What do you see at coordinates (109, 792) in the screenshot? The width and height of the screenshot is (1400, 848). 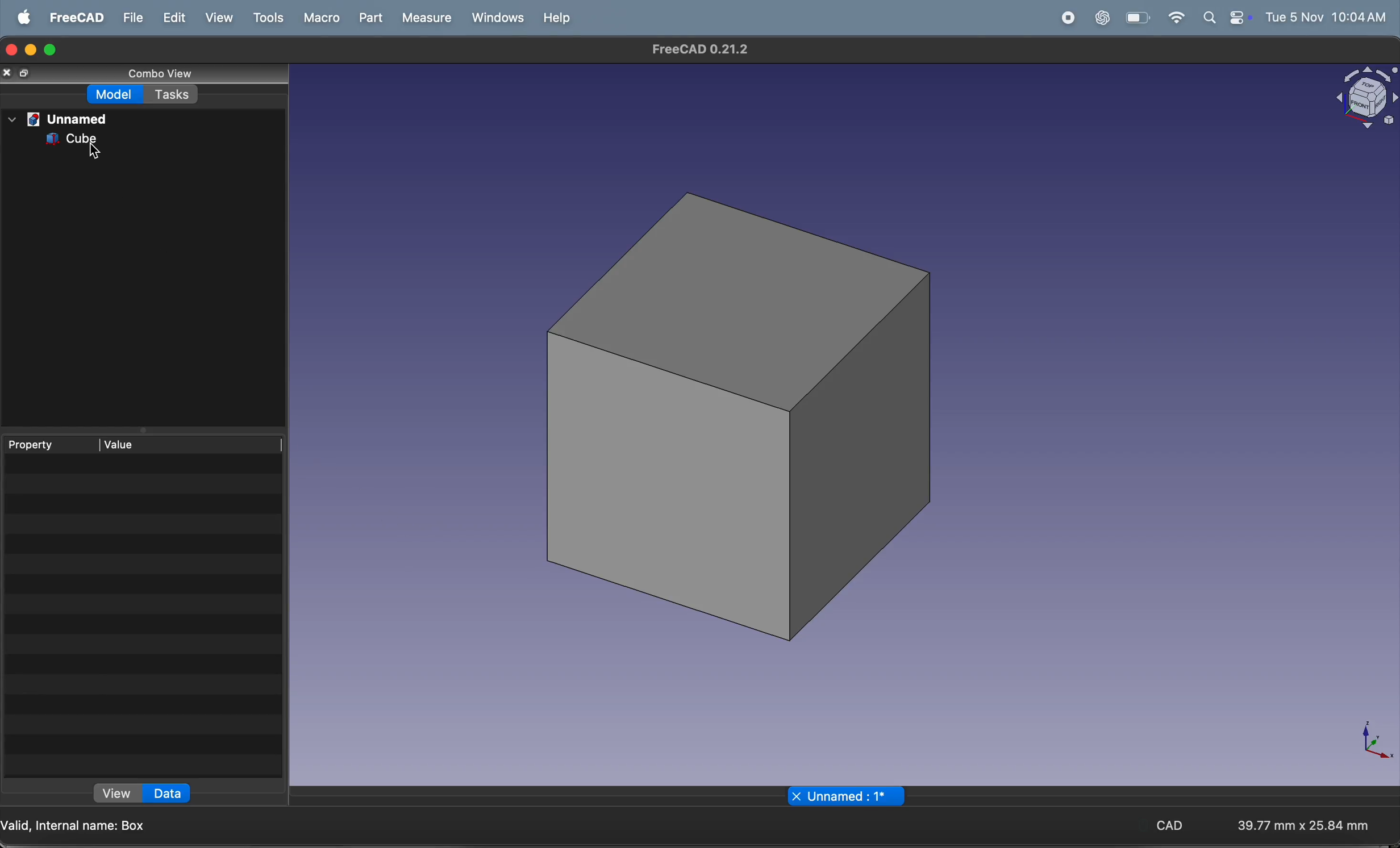 I see `view` at bounding box center [109, 792].